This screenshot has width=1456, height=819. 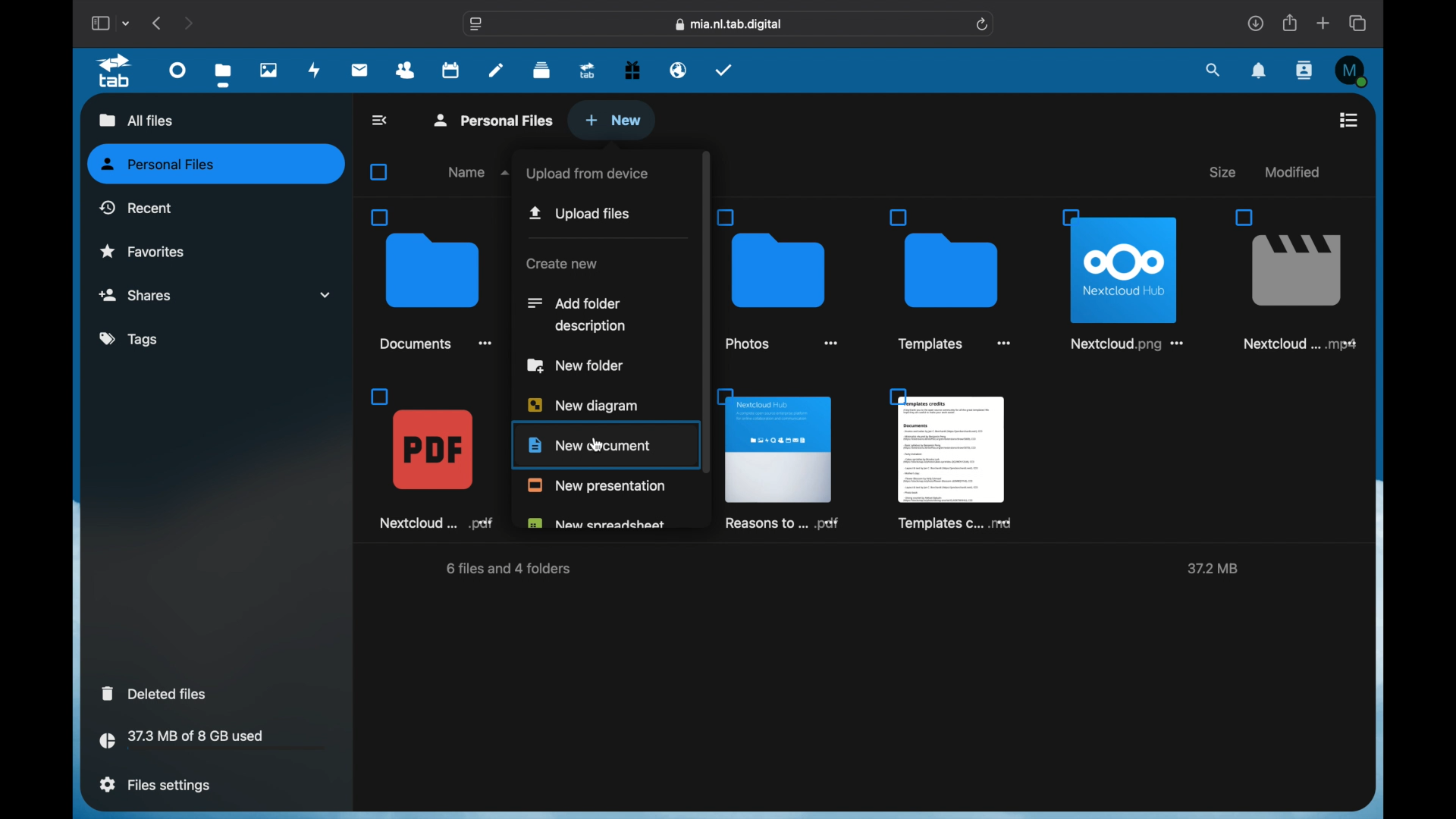 What do you see at coordinates (596, 523) in the screenshot?
I see `new spreadsheet` at bounding box center [596, 523].